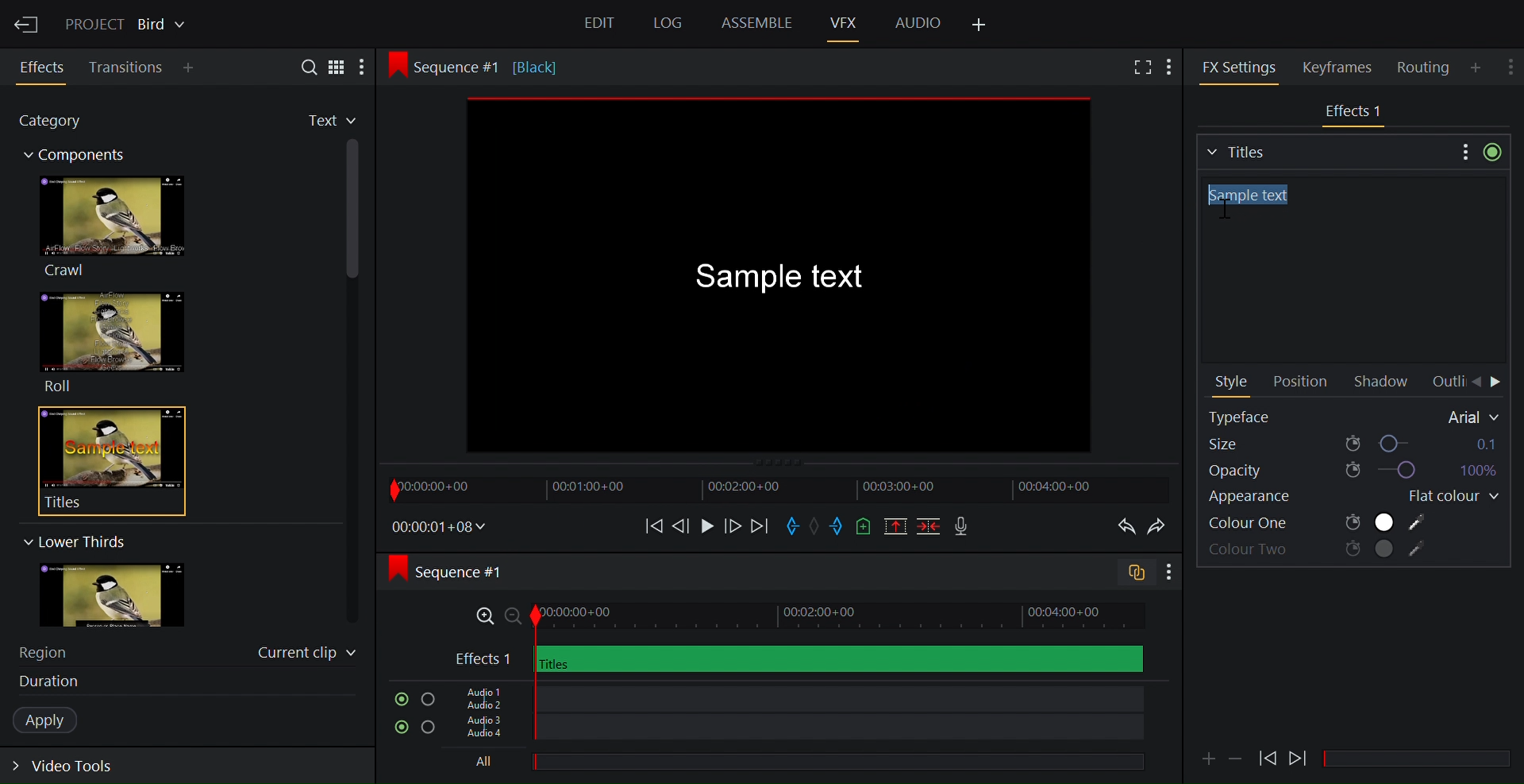 The image size is (1524, 784). What do you see at coordinates (440, 527) in the screenshot?
I see `Timecodes and reels` at bounding box center [440, 527].